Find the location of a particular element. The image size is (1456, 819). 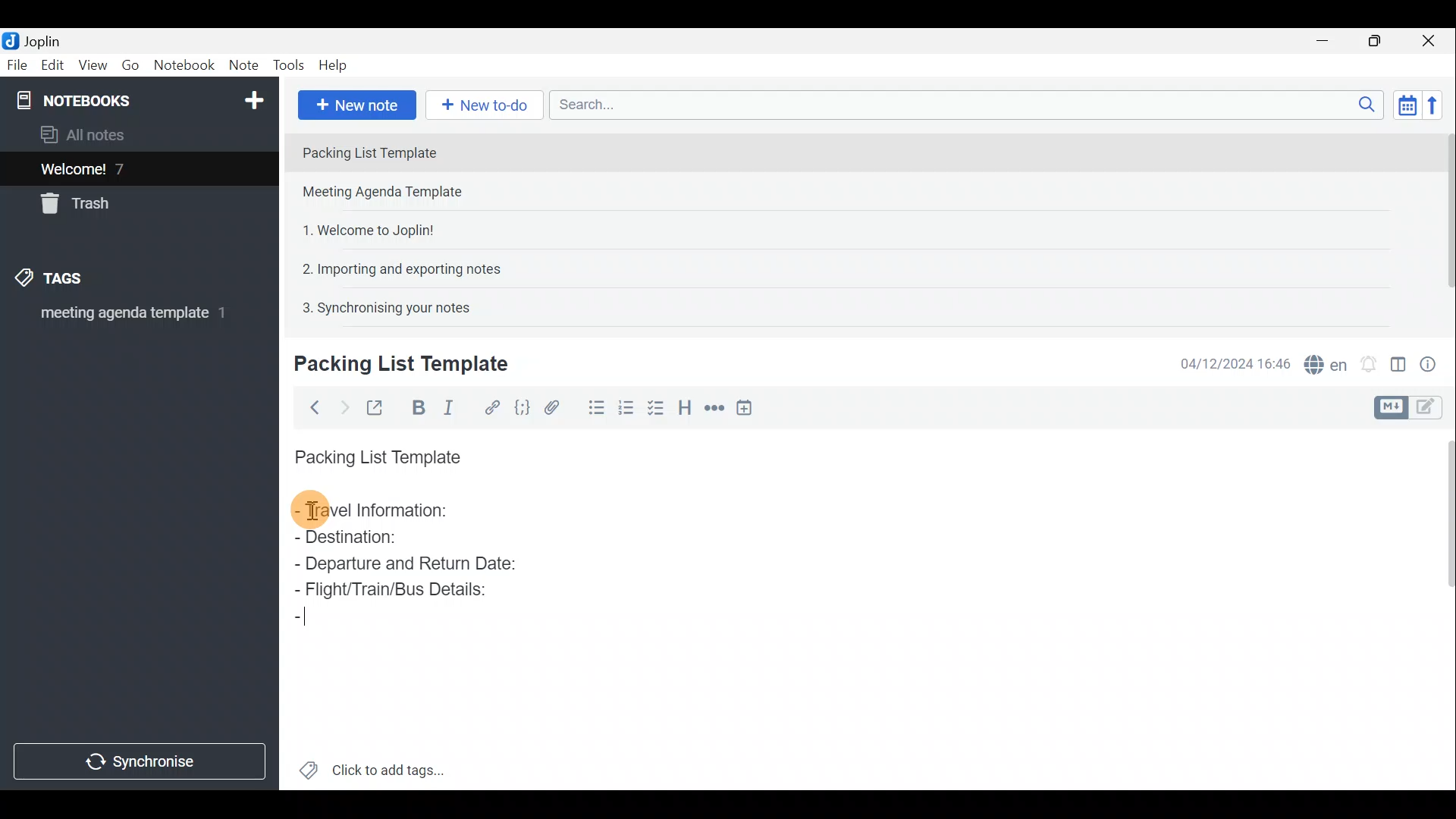

meeting agenda template is located at coordinates (130, 318).